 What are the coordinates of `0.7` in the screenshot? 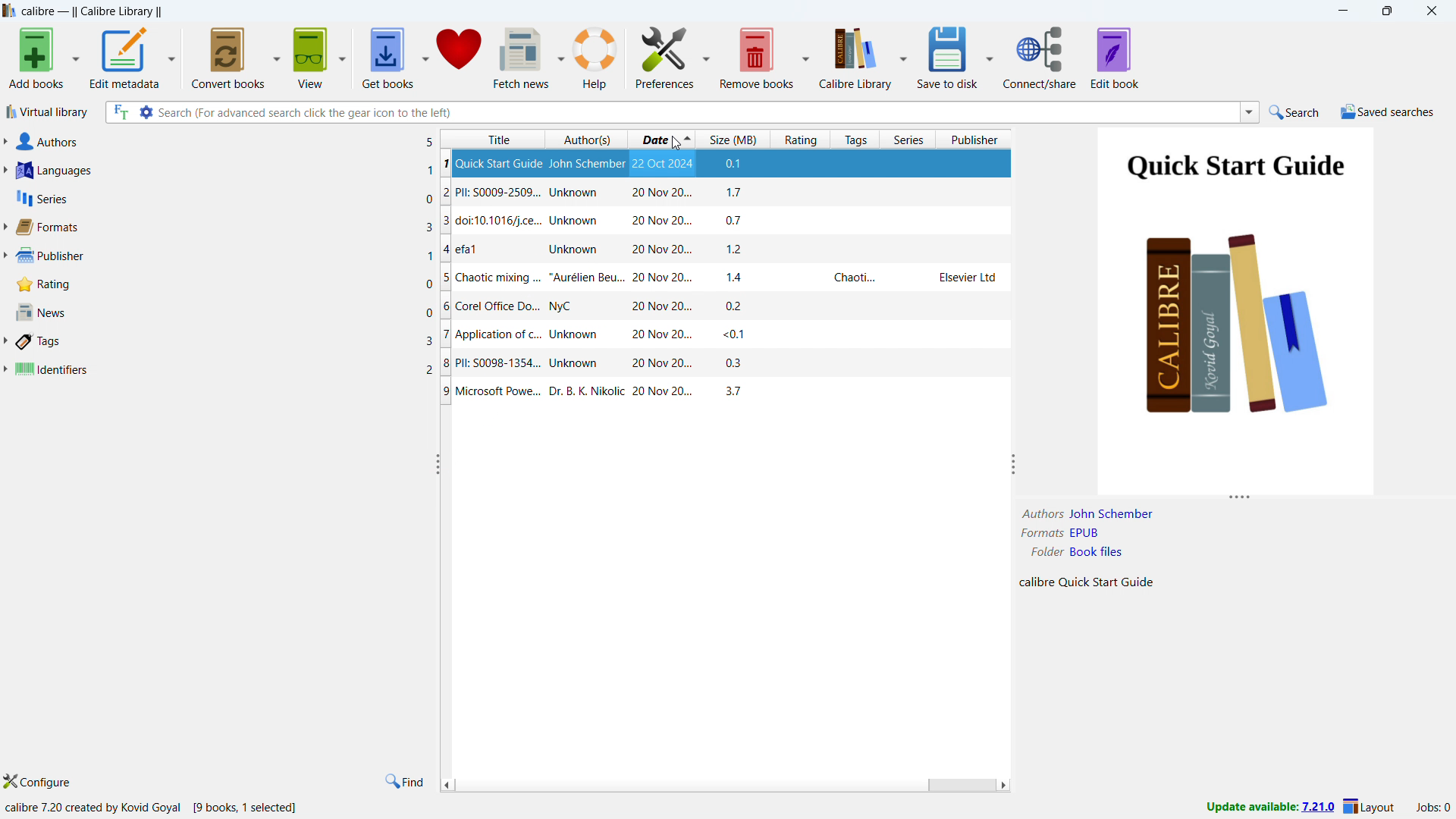 It's located at (739, 193).